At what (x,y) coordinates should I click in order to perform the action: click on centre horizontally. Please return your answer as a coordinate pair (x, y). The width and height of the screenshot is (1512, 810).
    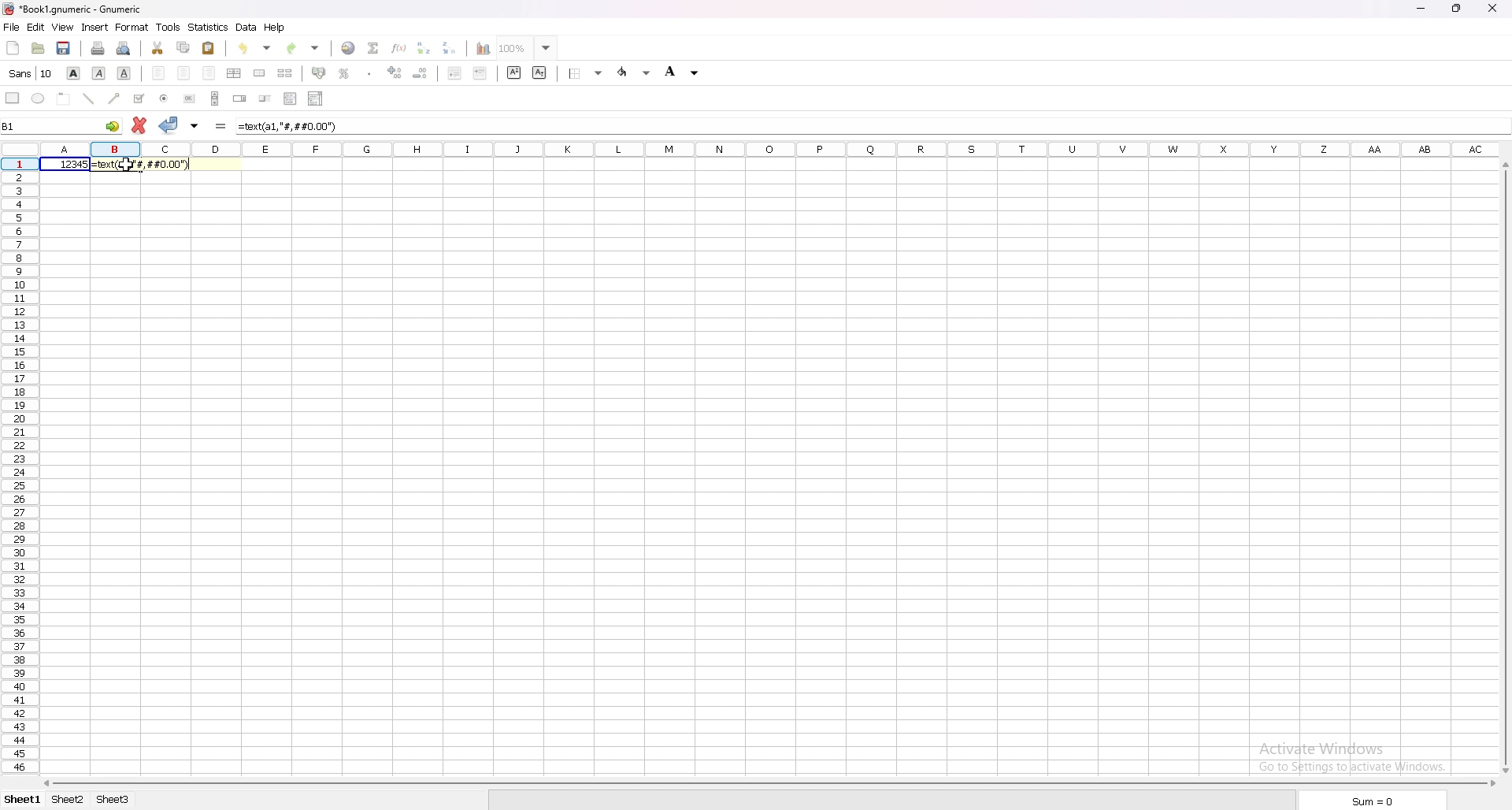
    Looking at the image, I should click on (235, 73).